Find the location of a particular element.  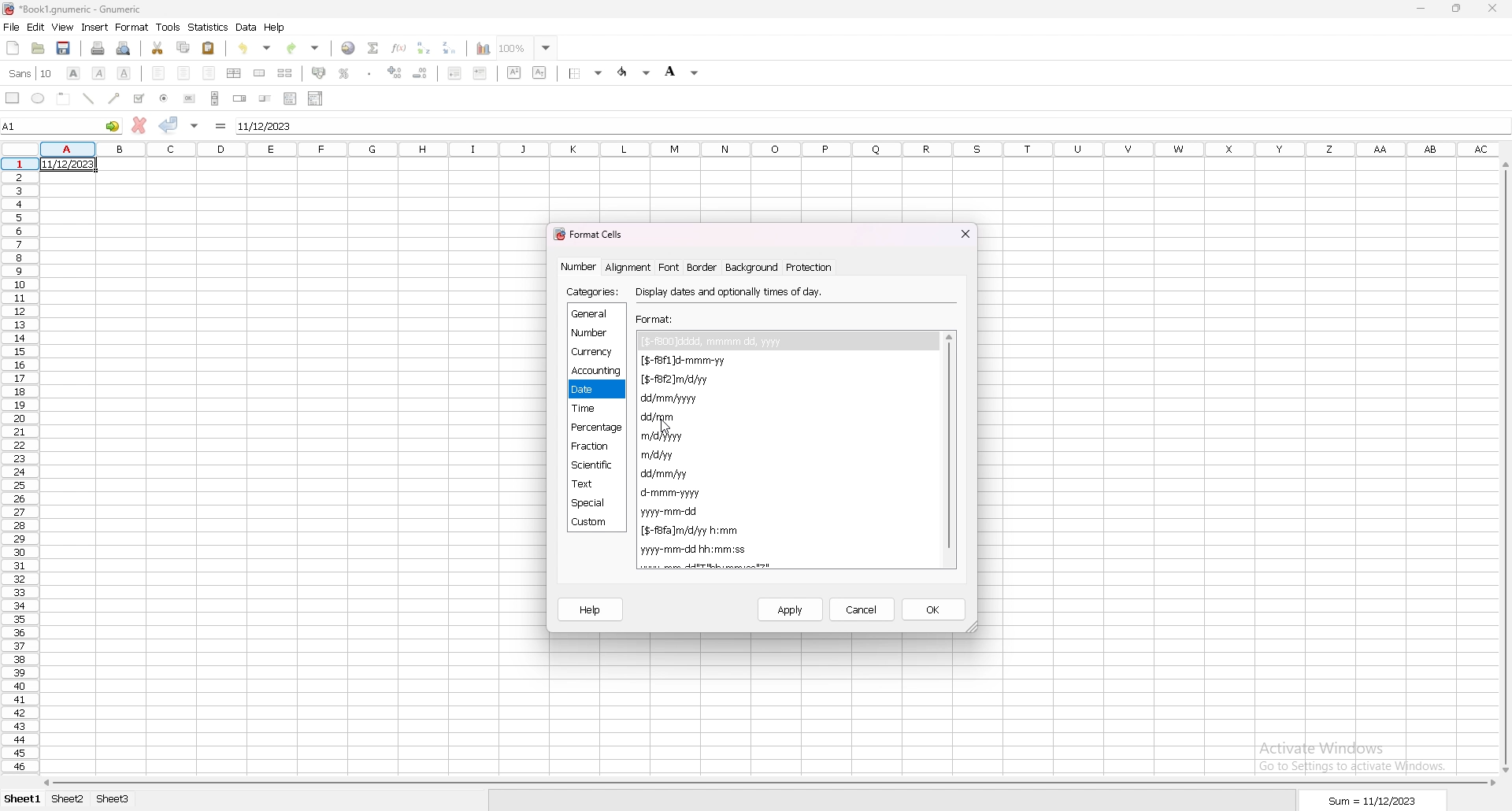

[$-f800]dddd,mmmm dd,yyyy is located at coordinates (715, 341).